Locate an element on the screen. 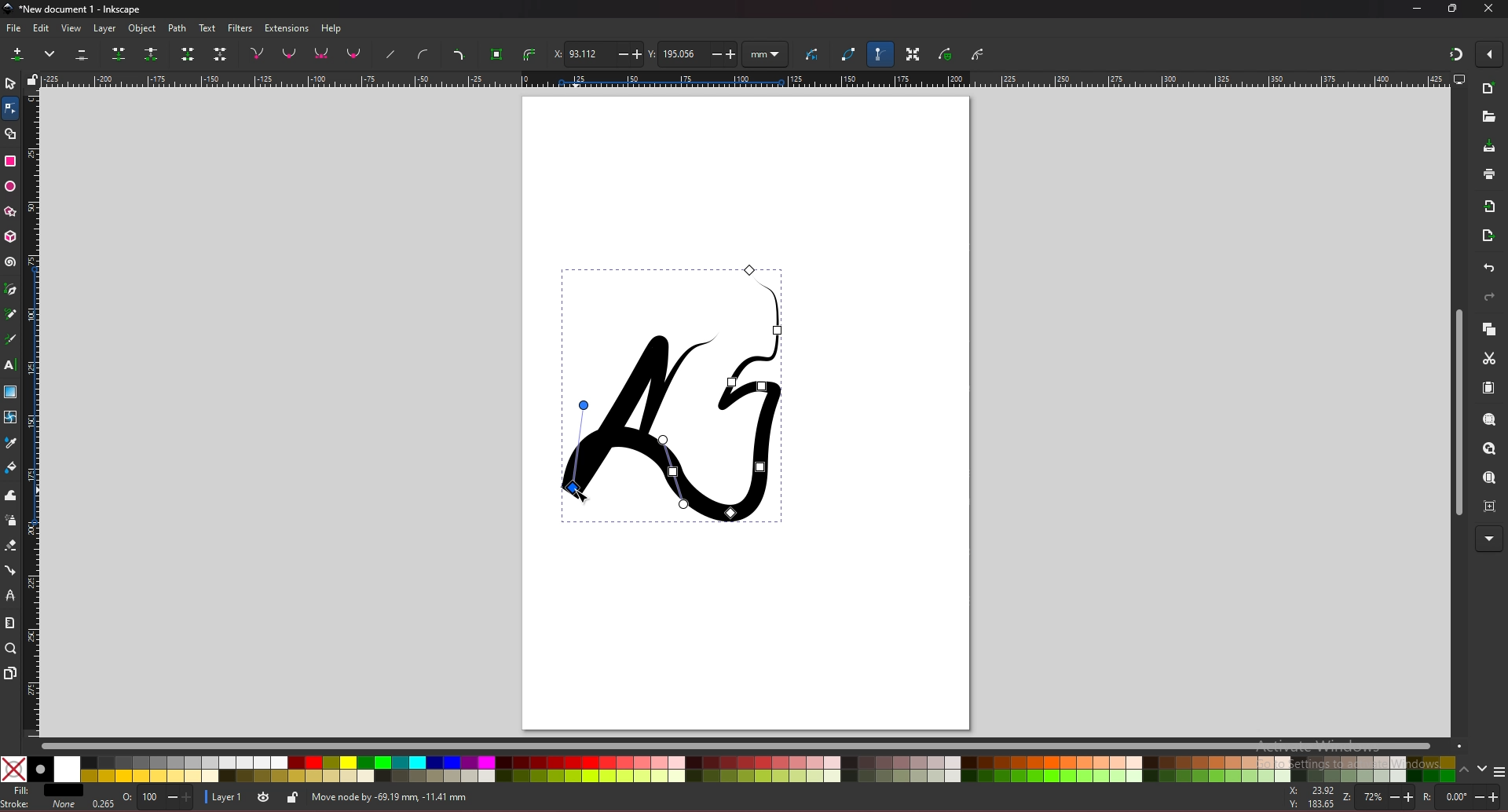 The width and height of the screenshot is (1508, 812). path outline is located at coordinates (849, 53).